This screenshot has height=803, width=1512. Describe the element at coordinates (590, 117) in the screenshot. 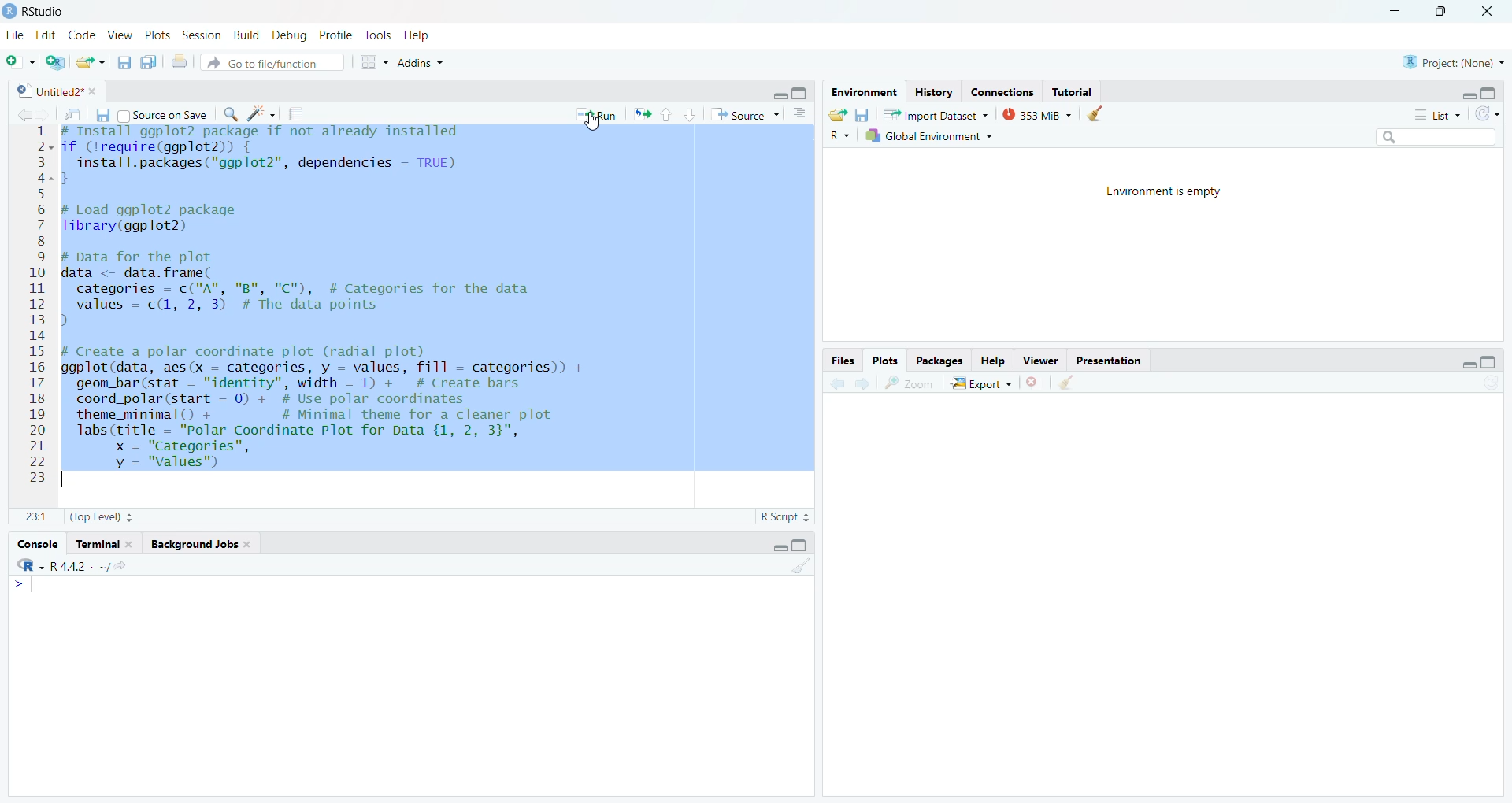

I see `* Run` at that location.